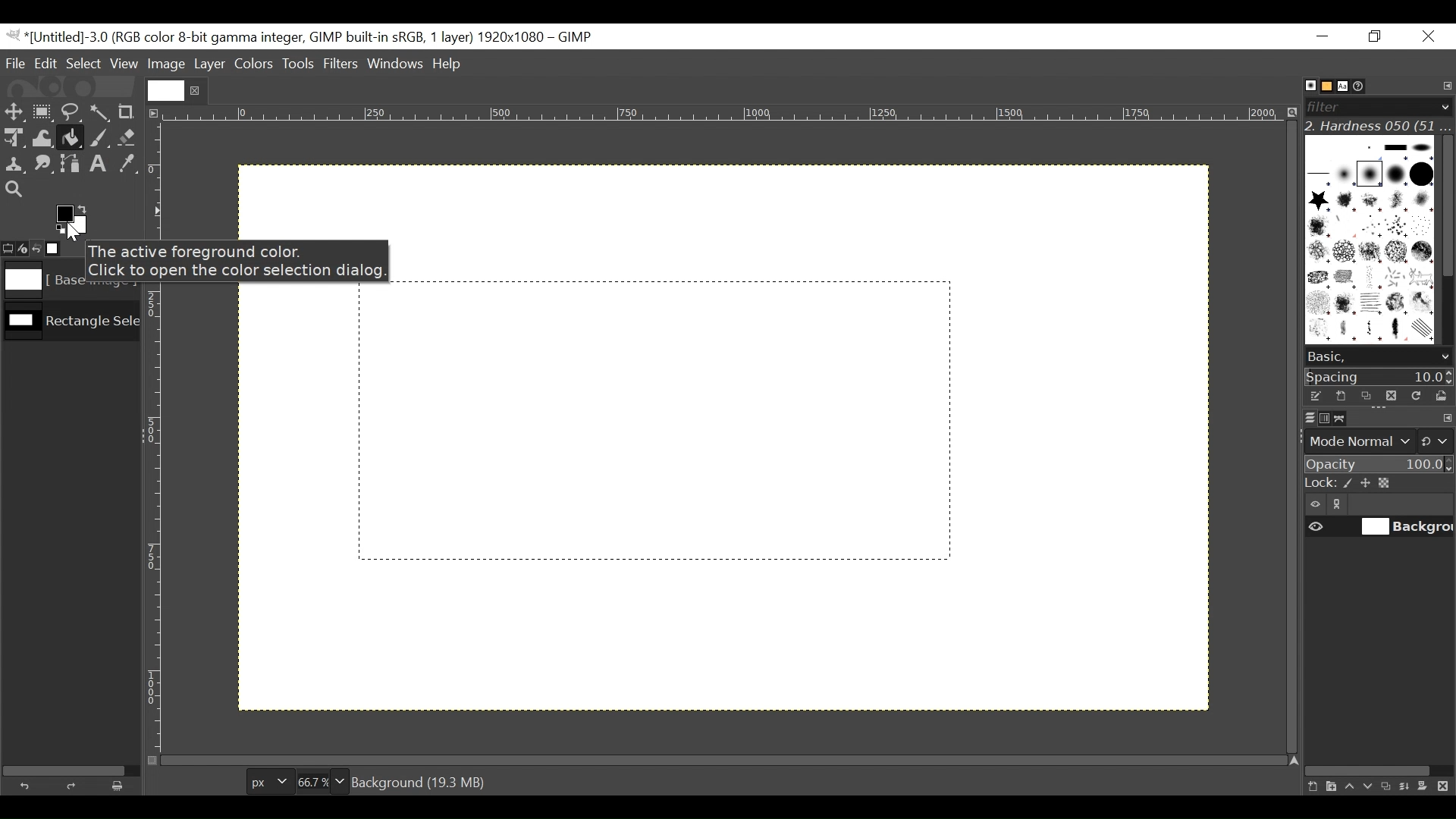 Image resolution: width=1456 pixels, height=819 pixels. Describe the element at coordinates (13, 137) in the screenshot. I see `Unified Transform Tool` at that location.